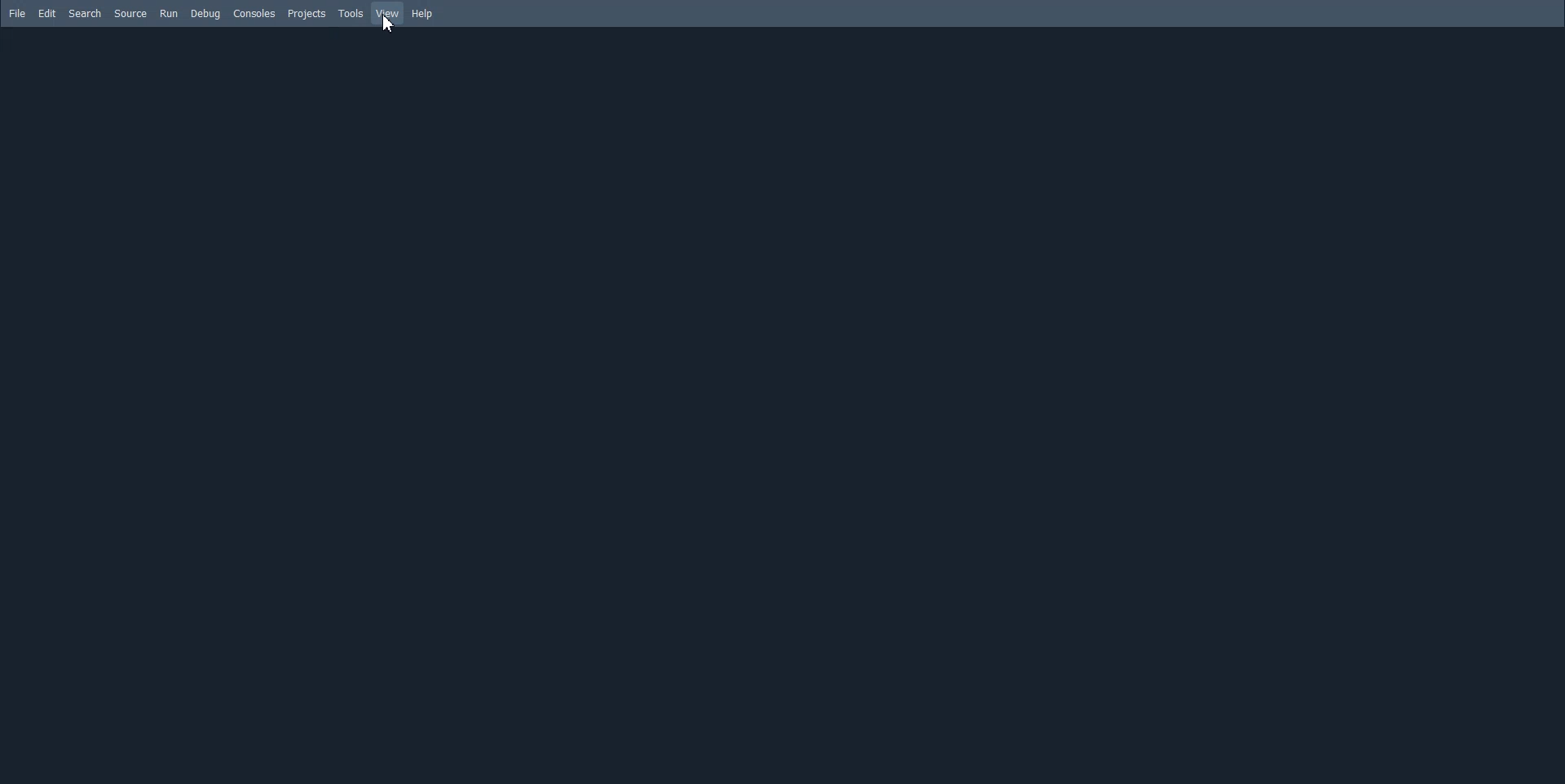 The width and height of the screenshot is (1565, 784). I want to click on Source, so click(130, 14).